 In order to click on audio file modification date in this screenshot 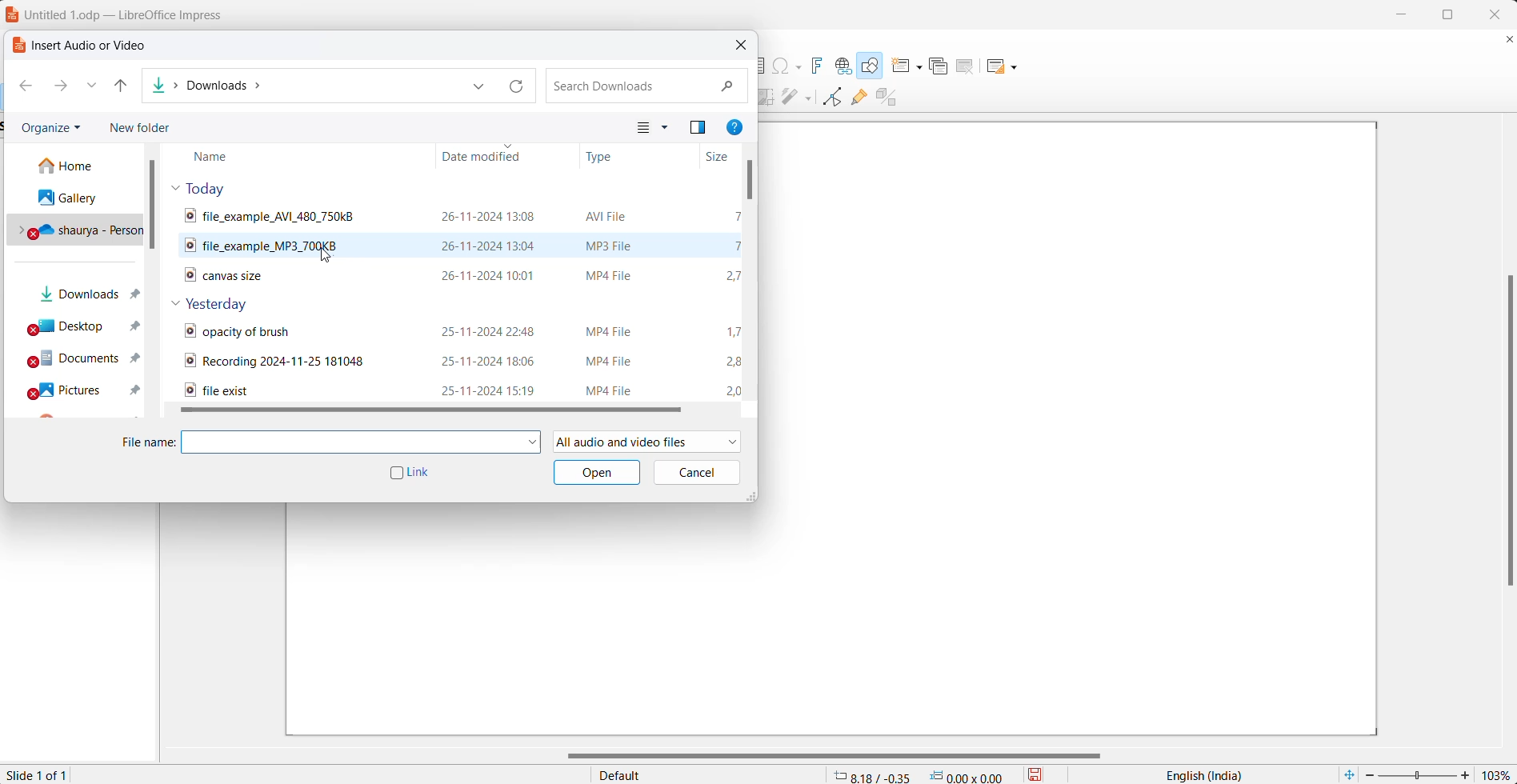, I will do `click(490, 243)`.